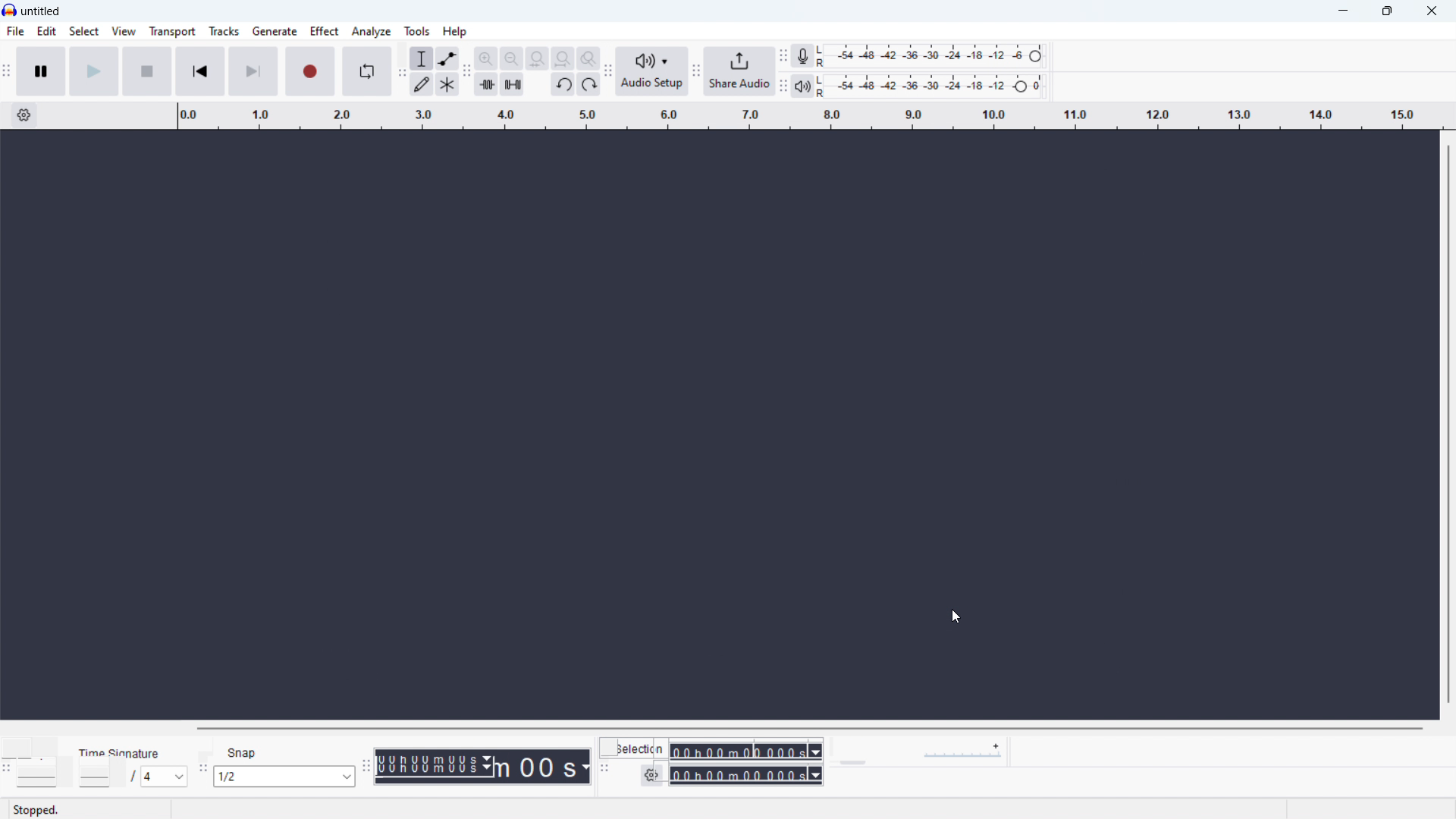  Describe the element at coordinates (588, 58) in the screenshot. I see `toggle zoom` at that location.